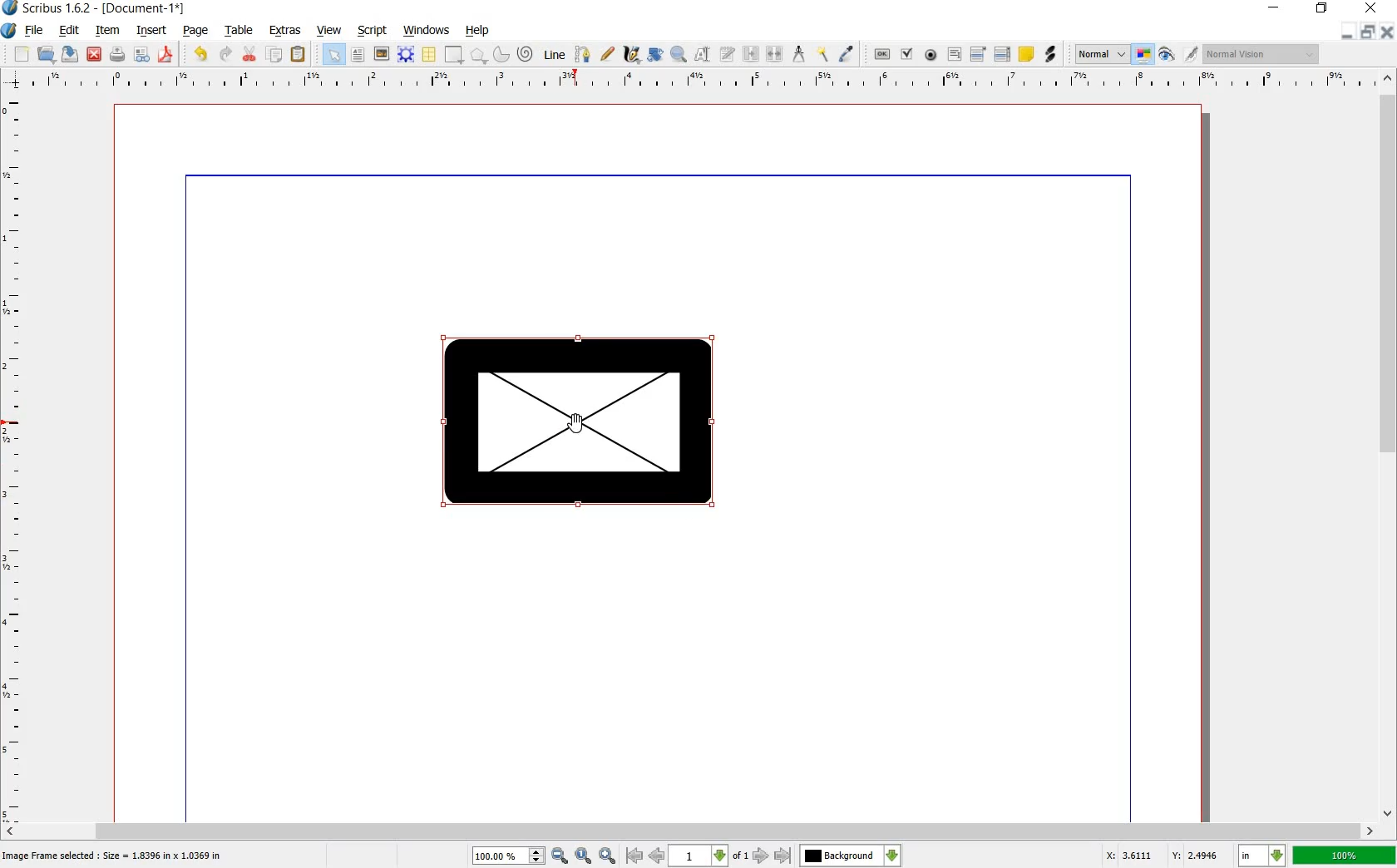 This screenshot has width=1397, height=868. What do you see at coordinates (708, 854) in the screenshot?
I see `page number drop down box` at bounding box center [708, 854].